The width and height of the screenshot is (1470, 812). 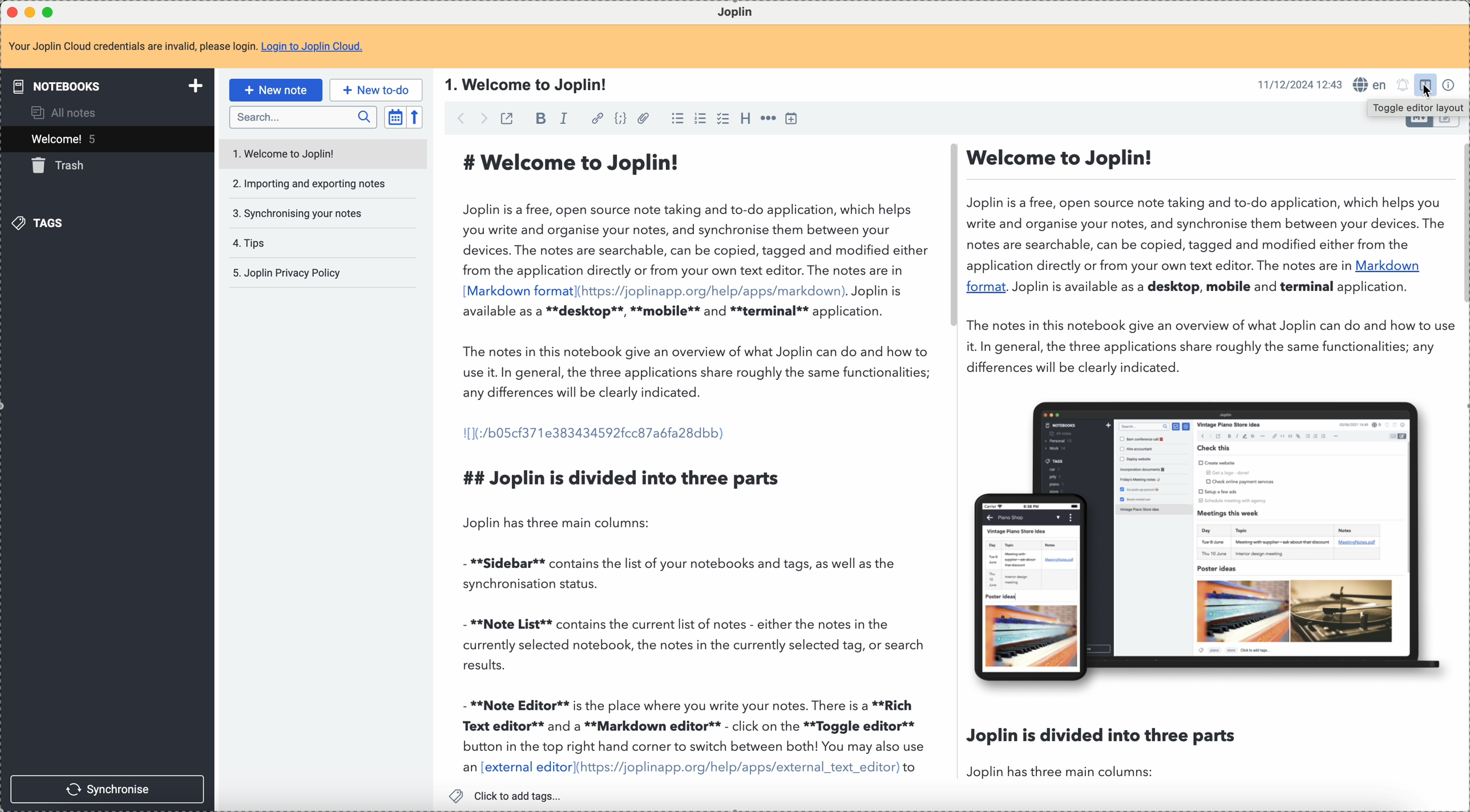 What do you see at coordinates (700, 375) in the screenshot?
I see `The notes in this notebook give an overview of what Joplin can do and how to
use it. In general, the three applications share roughly the same functionalities;
any differences will be clearly indicated.` at bounding box center [700, 375].